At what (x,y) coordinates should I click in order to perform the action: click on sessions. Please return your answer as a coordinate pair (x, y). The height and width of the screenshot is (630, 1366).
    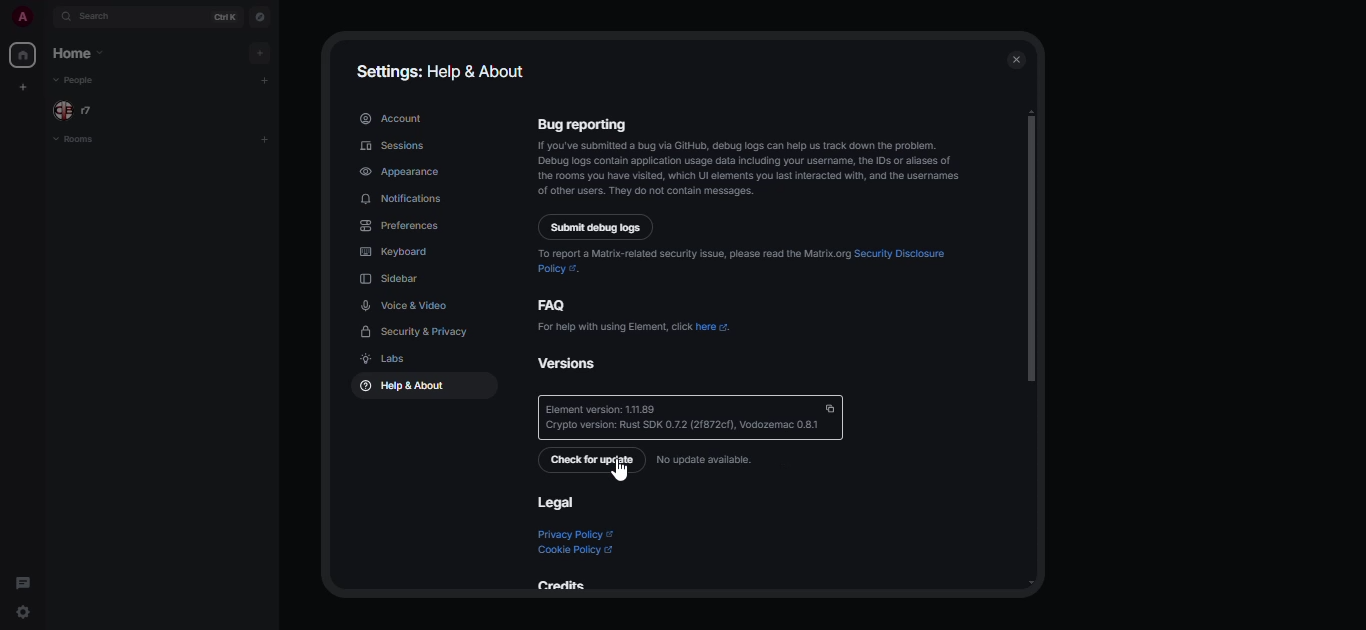
    Looking at the image, I should click on (394, 145).